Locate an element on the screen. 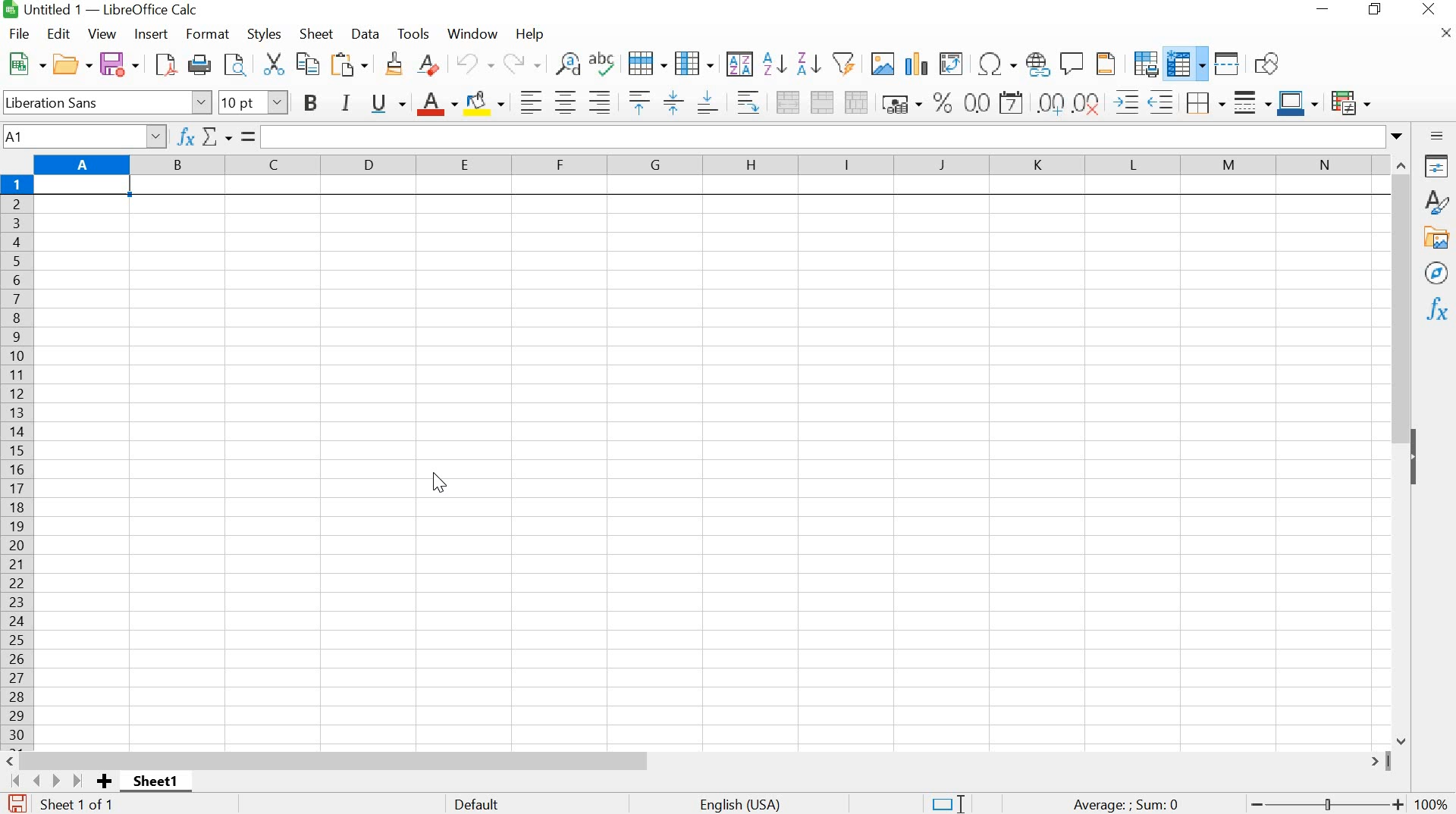  FIND AND REPLACE is located at coordinates (566, 64).